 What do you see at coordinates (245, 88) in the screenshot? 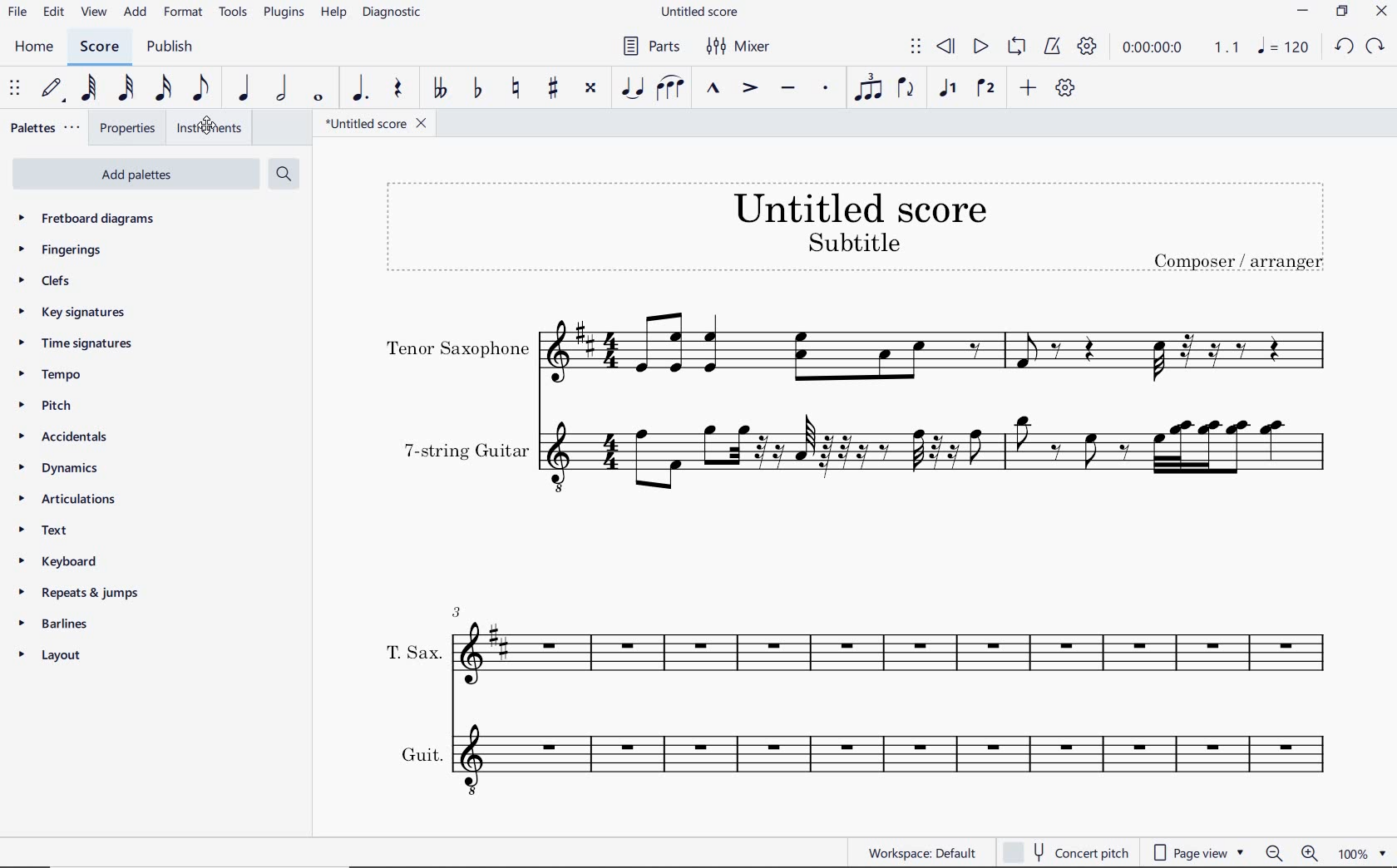
I see `QUARTER NOTE` at bounding box center [245, 88].